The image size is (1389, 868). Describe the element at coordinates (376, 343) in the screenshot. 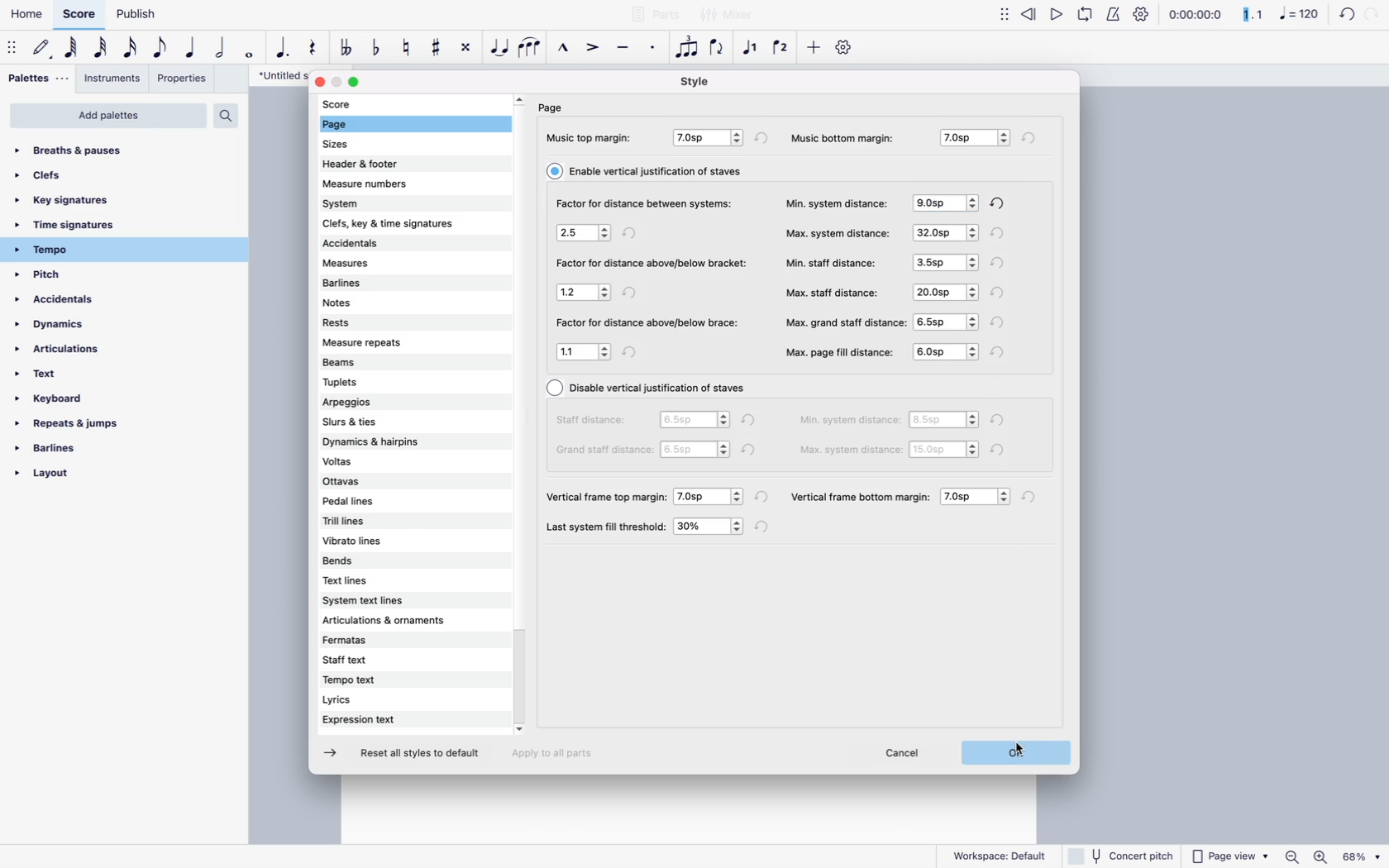

I see `measure repeats` at that location.